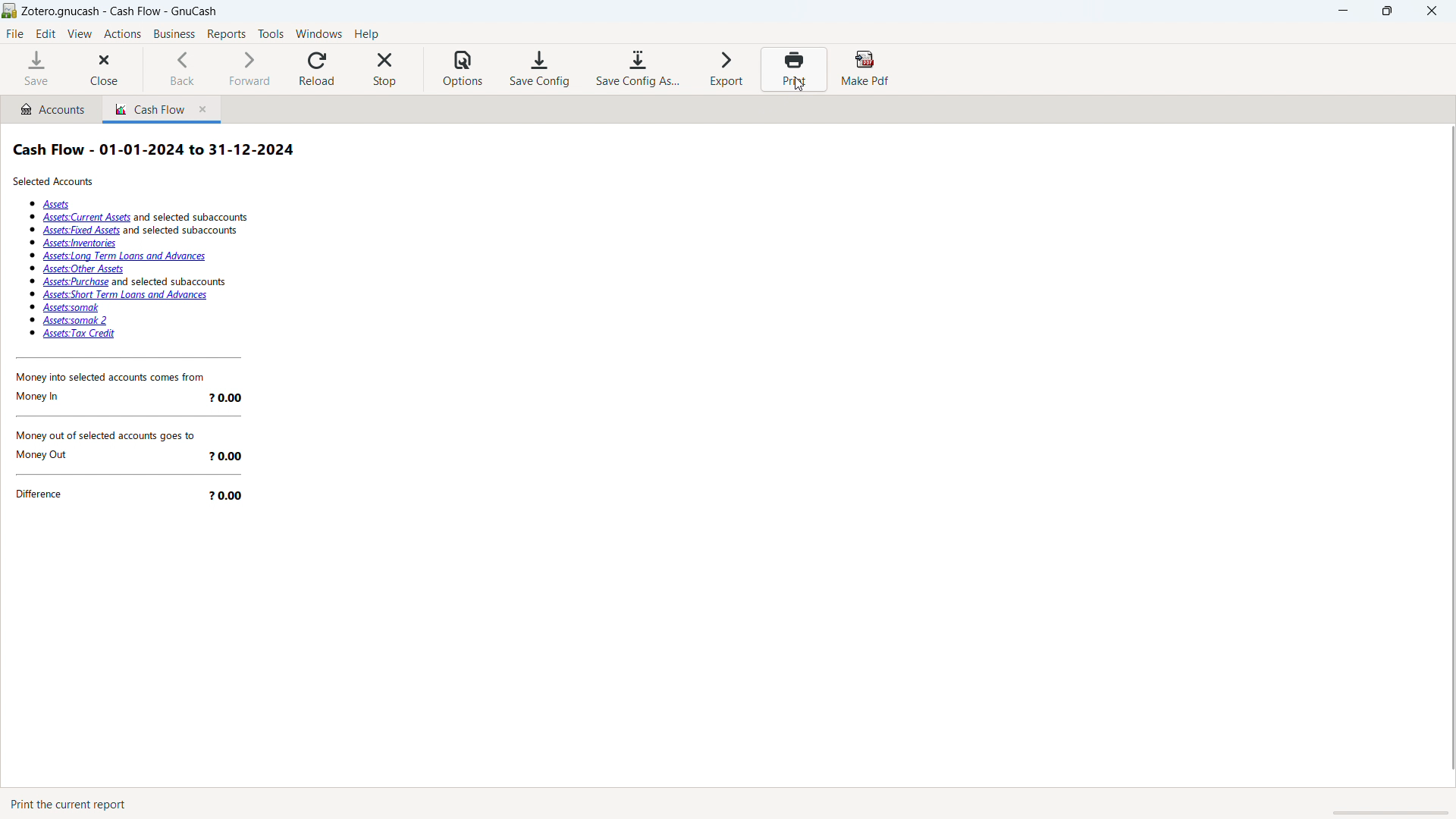 Image resolution: width=1456 pixels, height=819 pixels. What do you see at coordinates (119, 12) in the screenshot?
I see `title` at bounding box center [119, 12].